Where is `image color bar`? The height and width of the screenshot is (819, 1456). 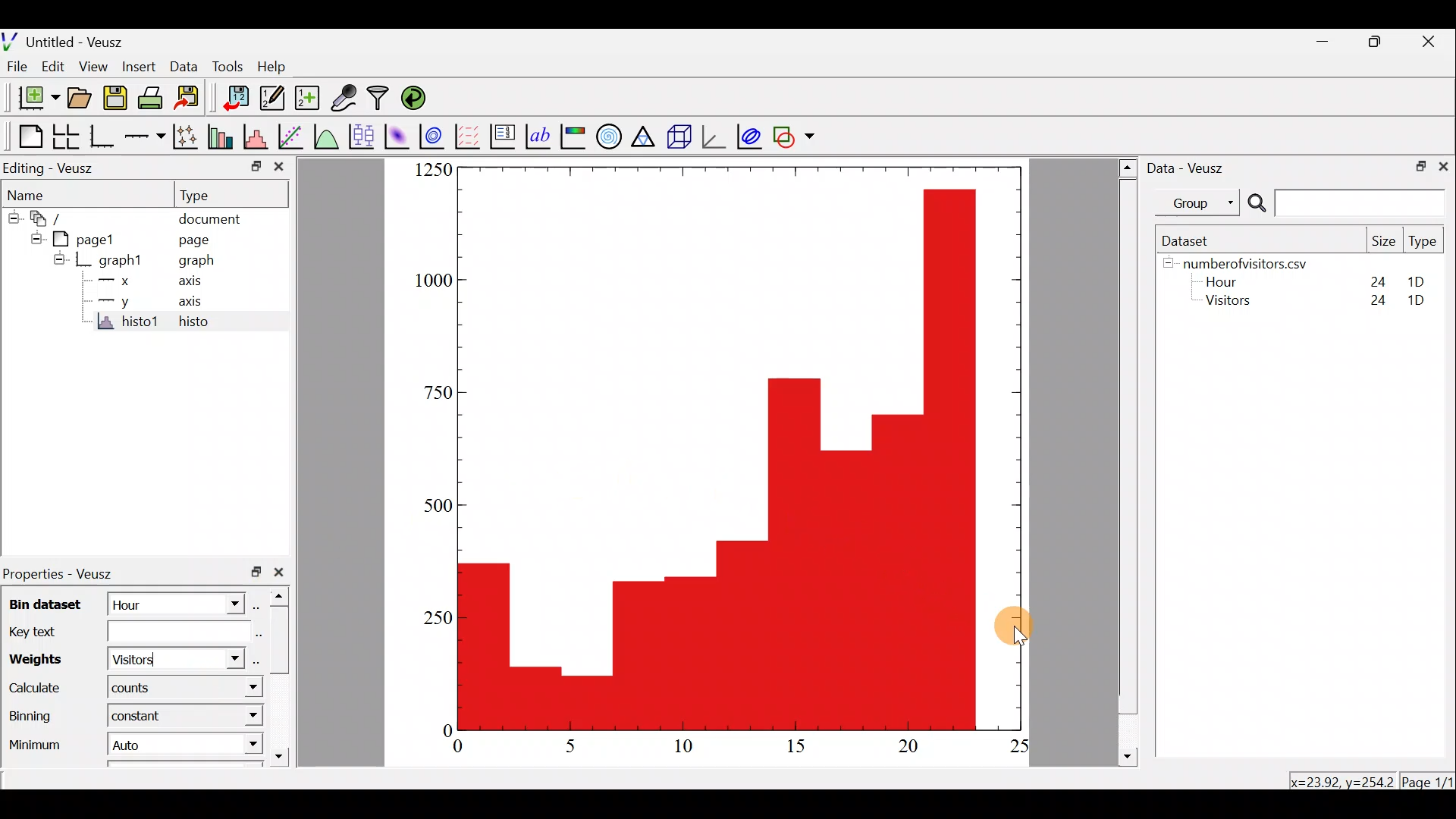 image color bar is located at coordinates (573, 136).